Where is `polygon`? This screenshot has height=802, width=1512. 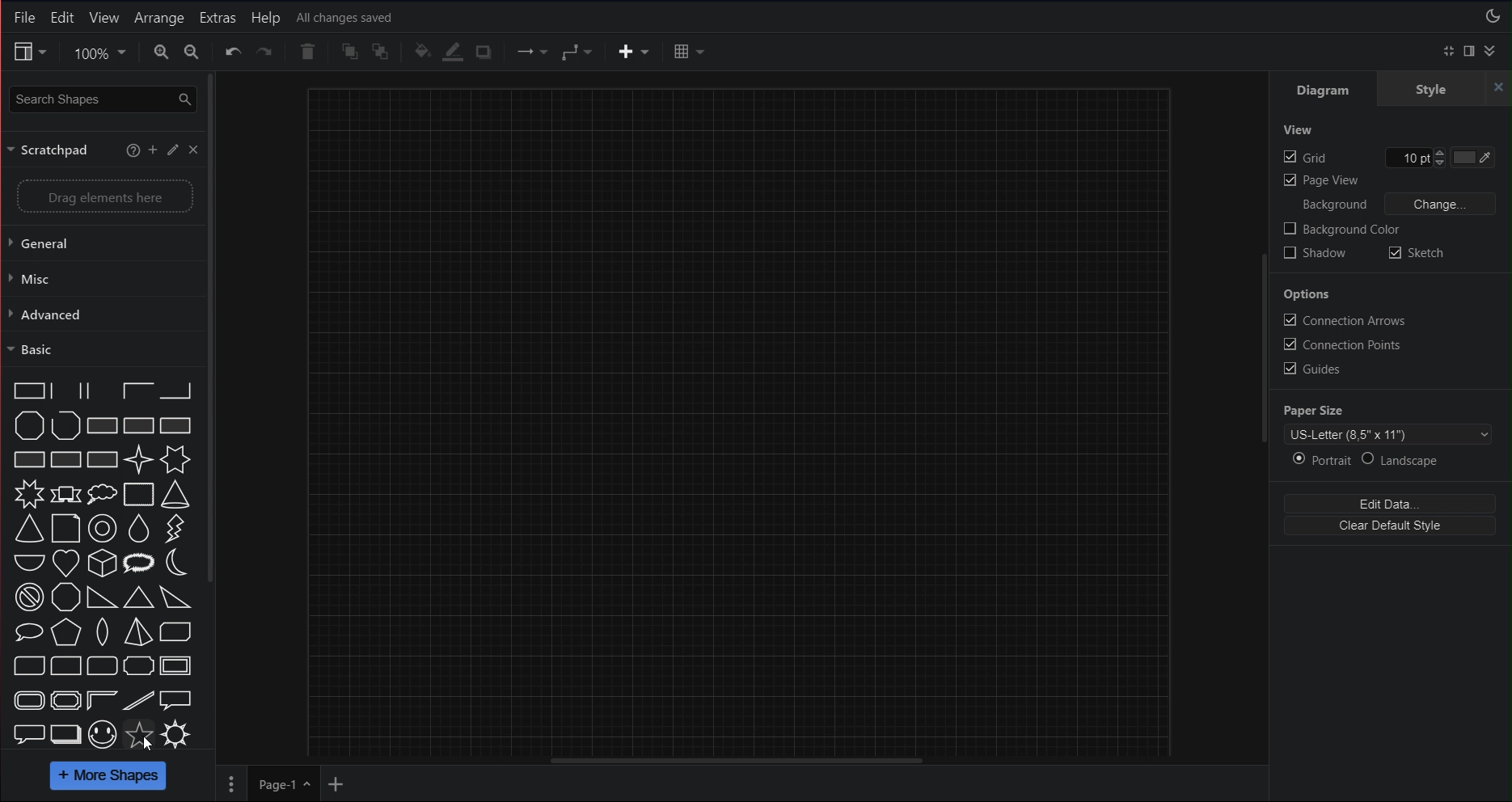 polygon is located at coordinates (30, 425).